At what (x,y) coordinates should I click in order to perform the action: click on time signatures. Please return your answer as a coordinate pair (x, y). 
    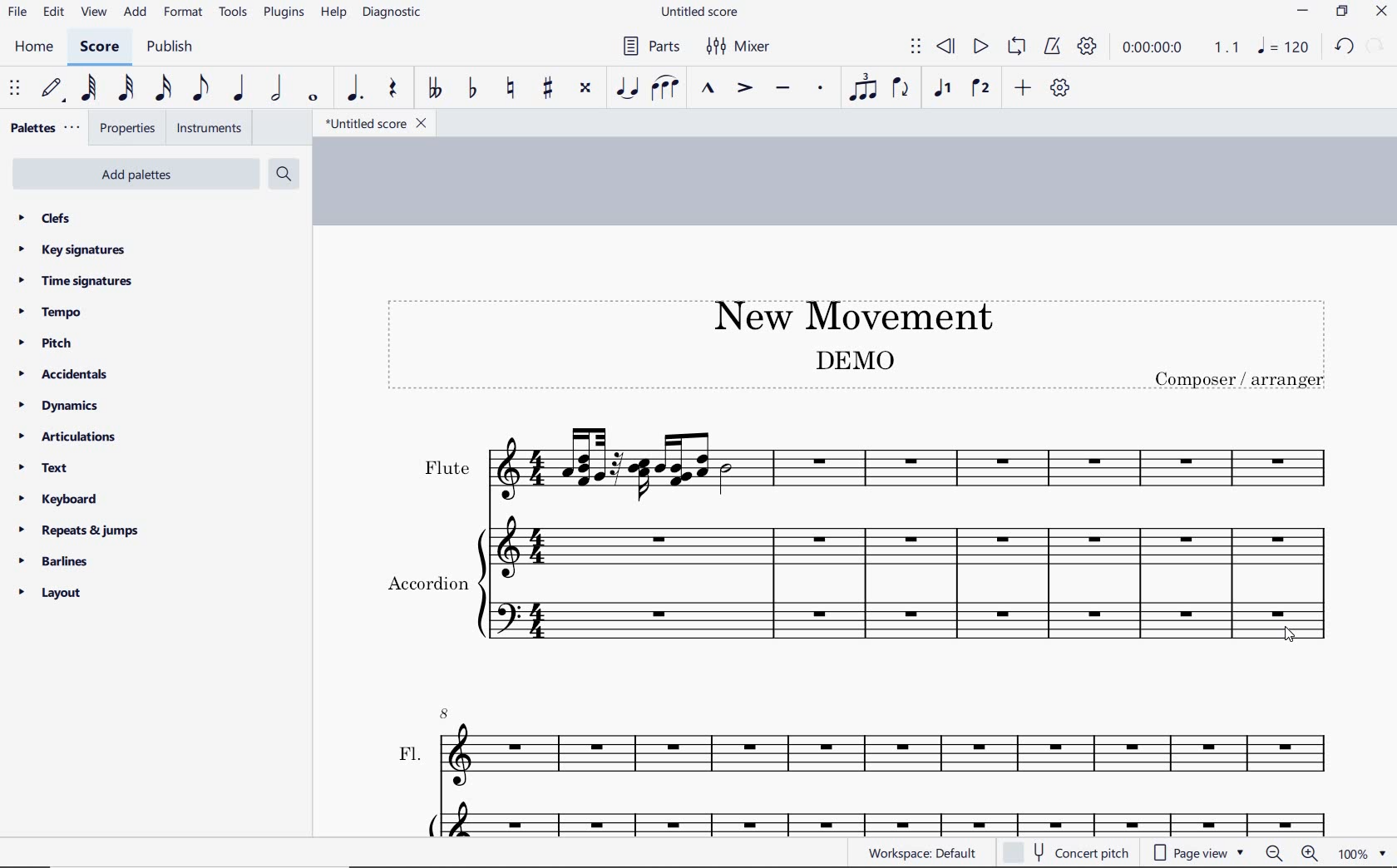
    Looking at the image, I should click on (76, 280).